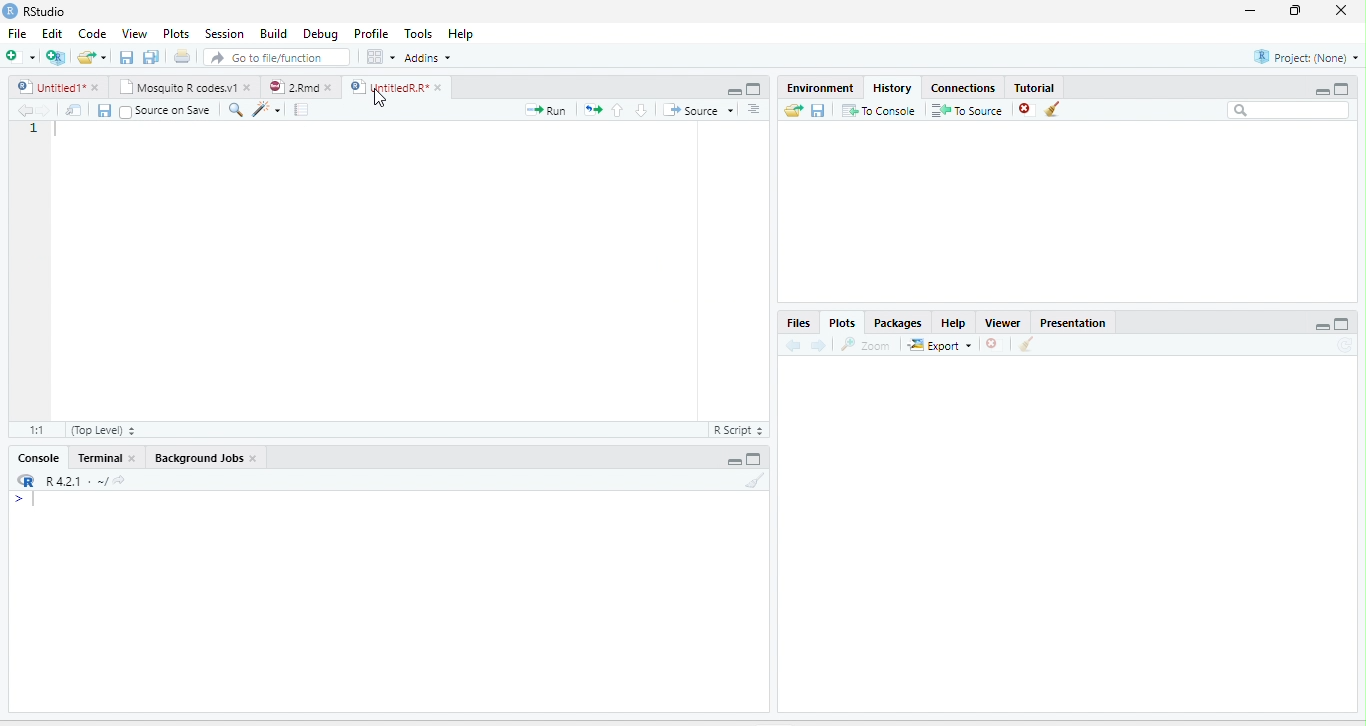  What do you see at coordinates (388, 87) in the screenshot?
I see `UntitledR.R*` at bounding box center [388, 87].